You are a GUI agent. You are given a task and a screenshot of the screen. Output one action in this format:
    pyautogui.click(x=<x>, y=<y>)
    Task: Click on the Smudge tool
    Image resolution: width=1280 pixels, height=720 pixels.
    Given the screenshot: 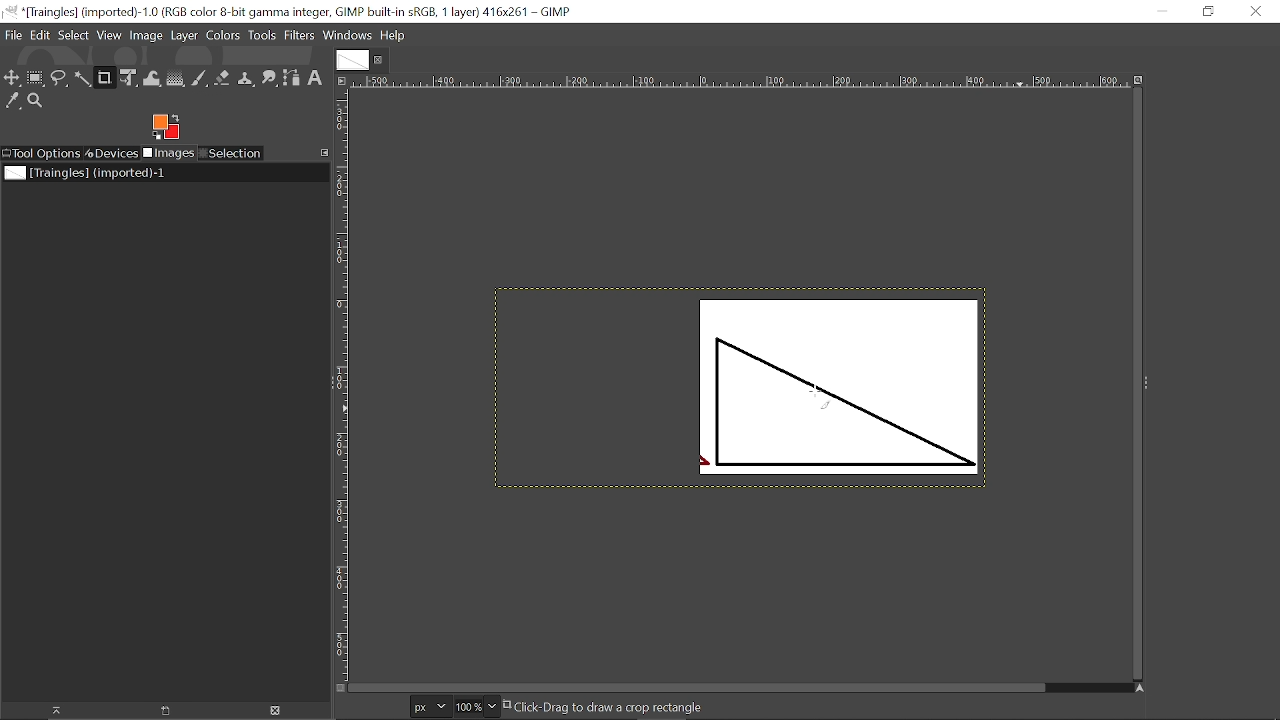 What is the action you would take?
    pyautogui.click(x=268, y=79)
    